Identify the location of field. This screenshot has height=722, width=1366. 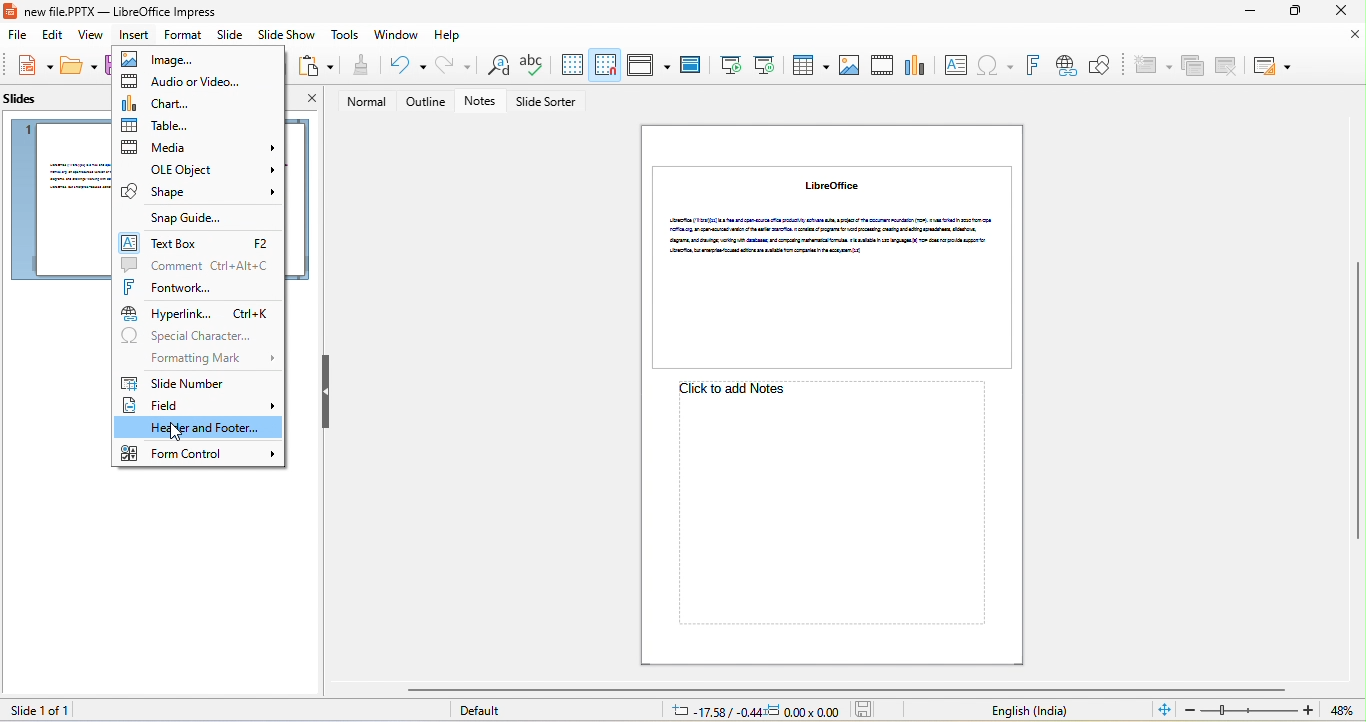
(197, 407).